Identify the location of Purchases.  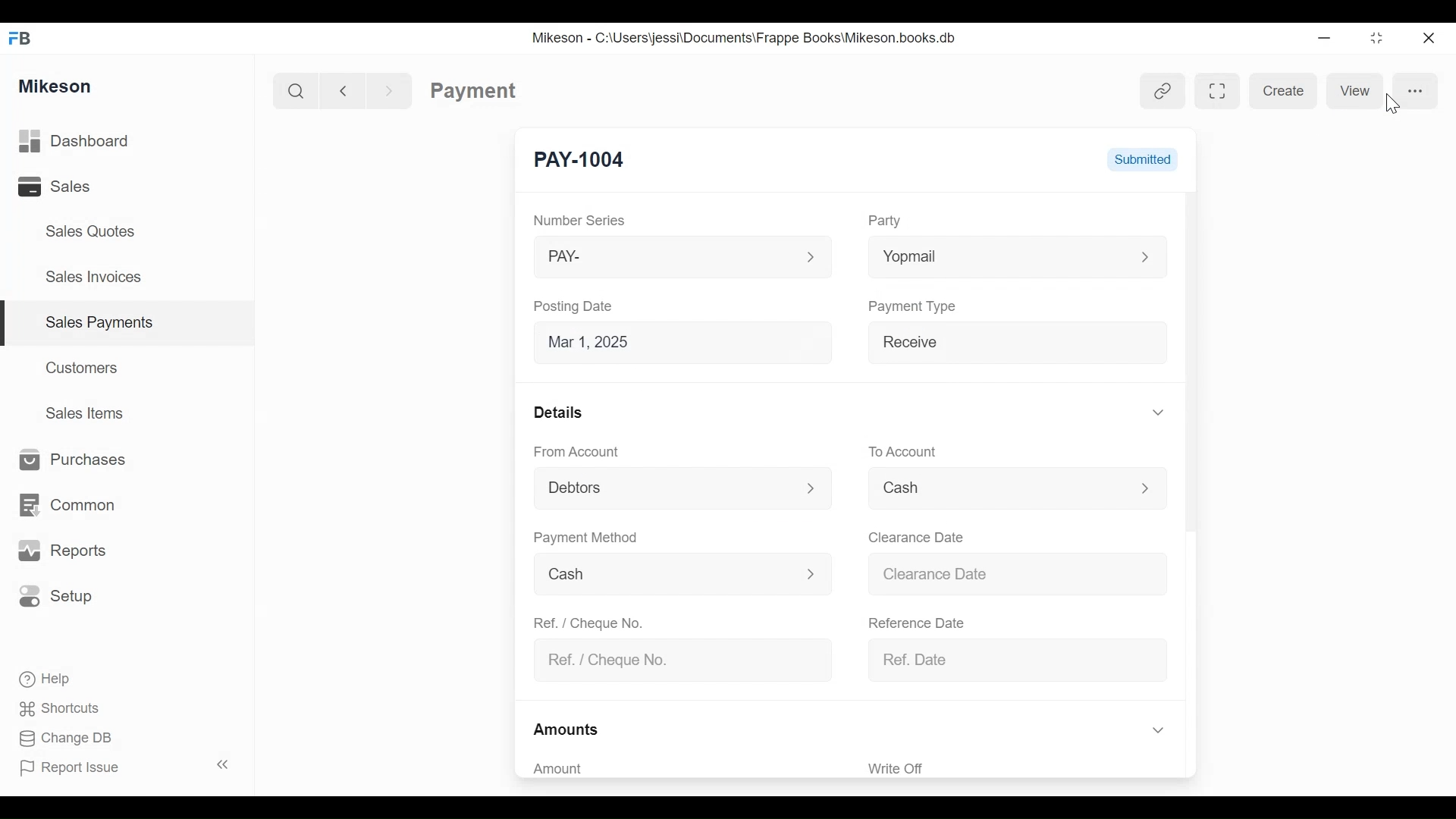
(72, 460).